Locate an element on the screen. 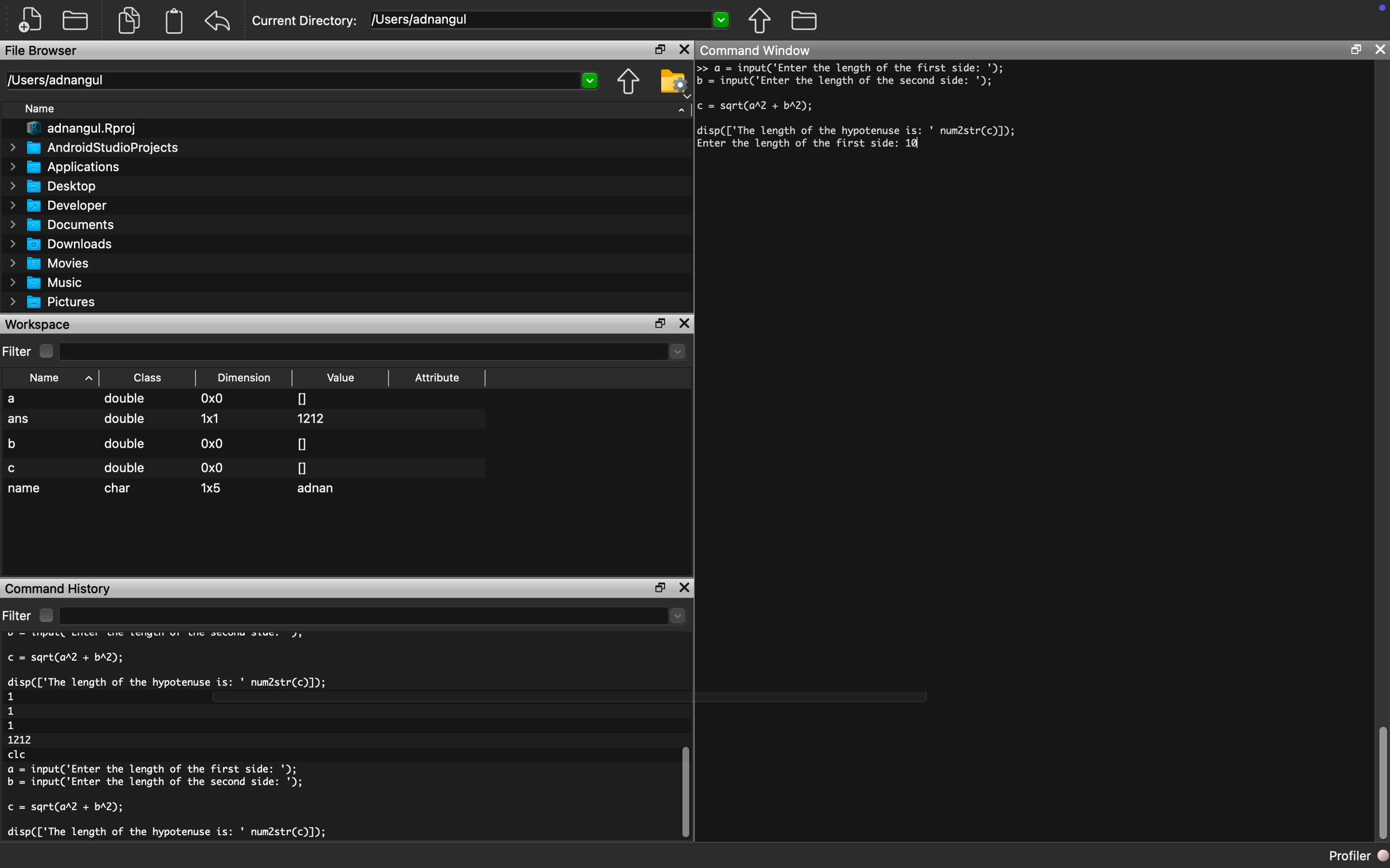  AndroidStudioProjects is located at coordinates (96, 148).